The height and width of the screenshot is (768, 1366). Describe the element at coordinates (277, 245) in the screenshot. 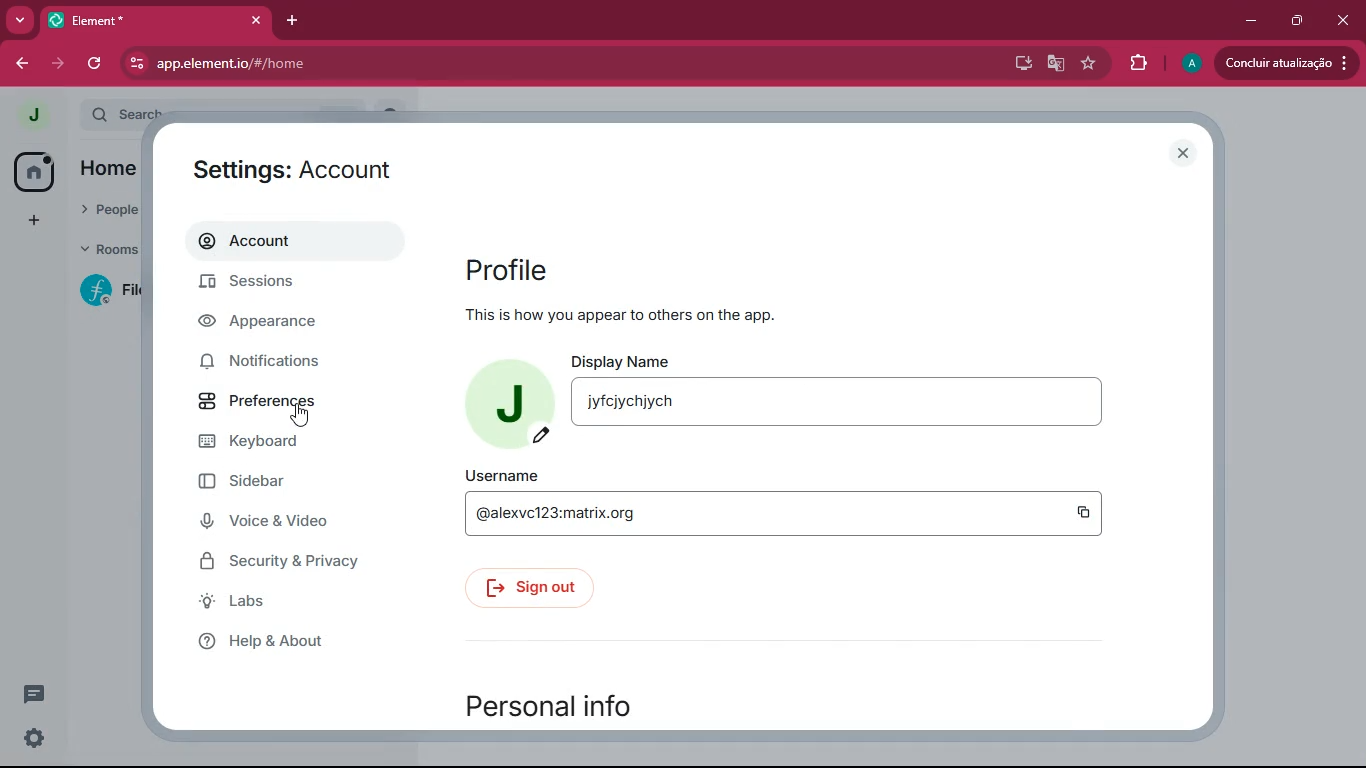

I see `account` at that location.